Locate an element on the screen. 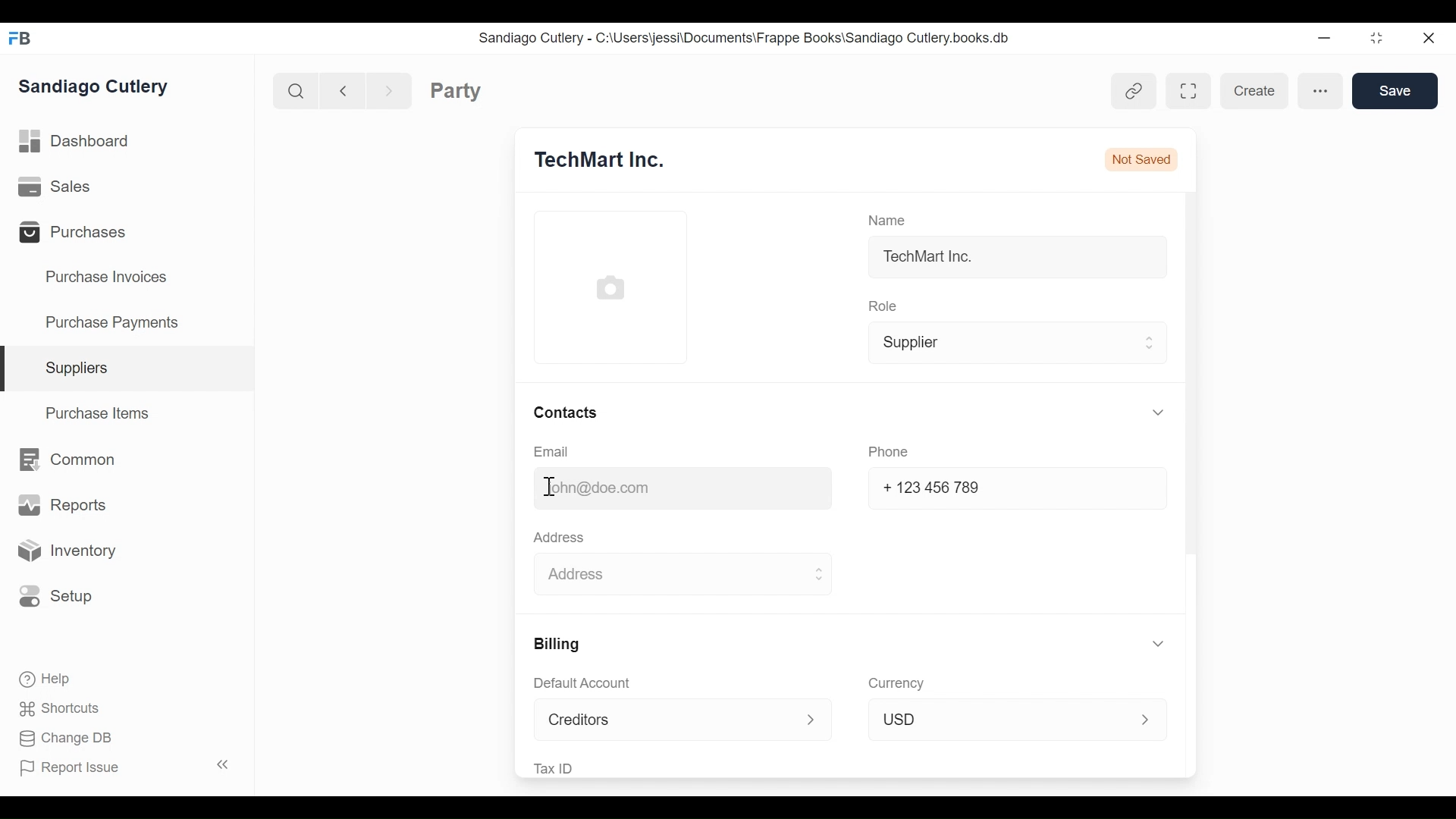 Image resolution: width=1456 pixels, height=819 pixels. Toggle between form and full width is located at coordinates (1183, 91).